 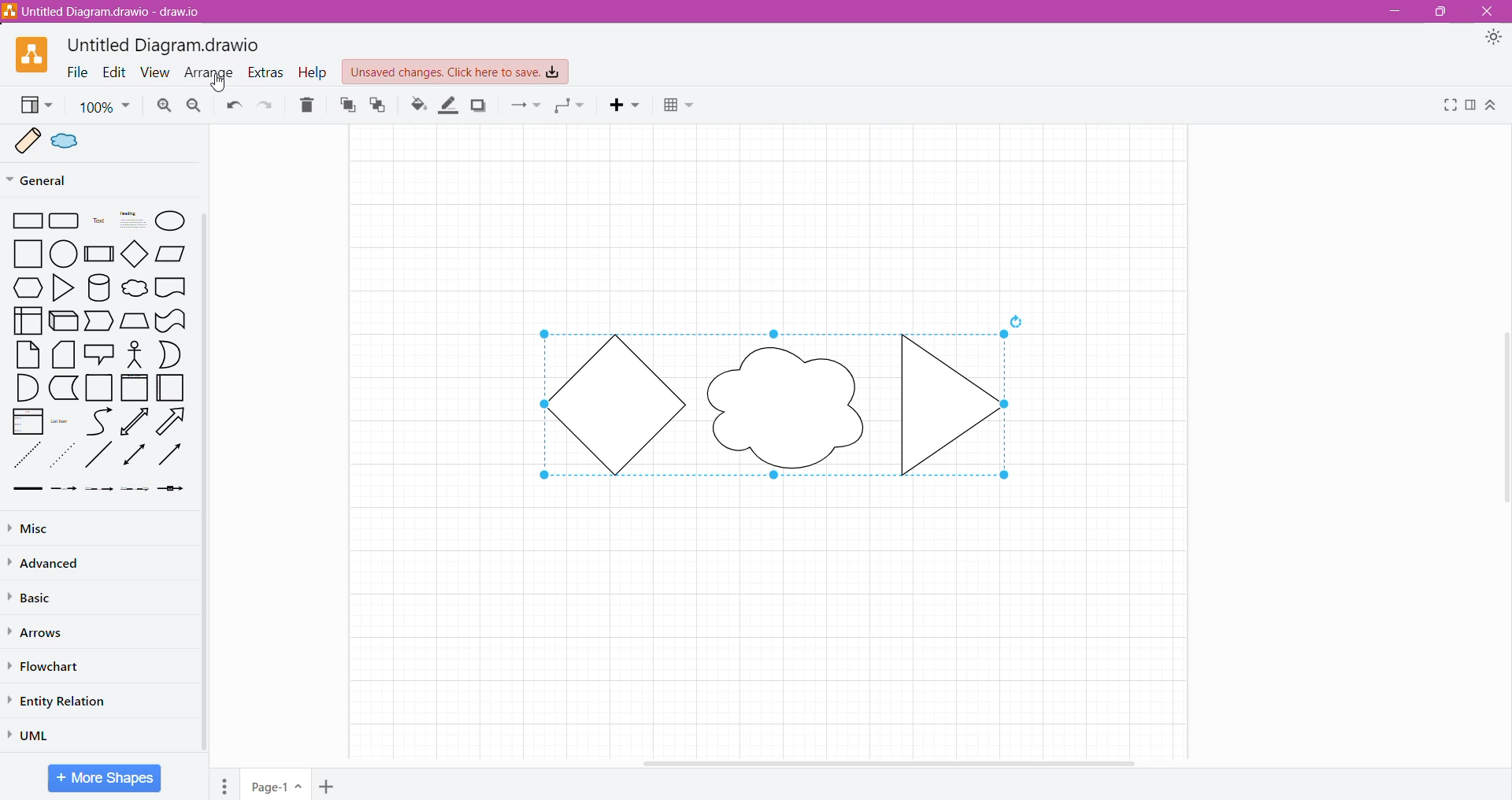 What do you see at coordinates (1496, 40) in the screenshot?
I see `Appearance` at bounding box center [1496, 40].